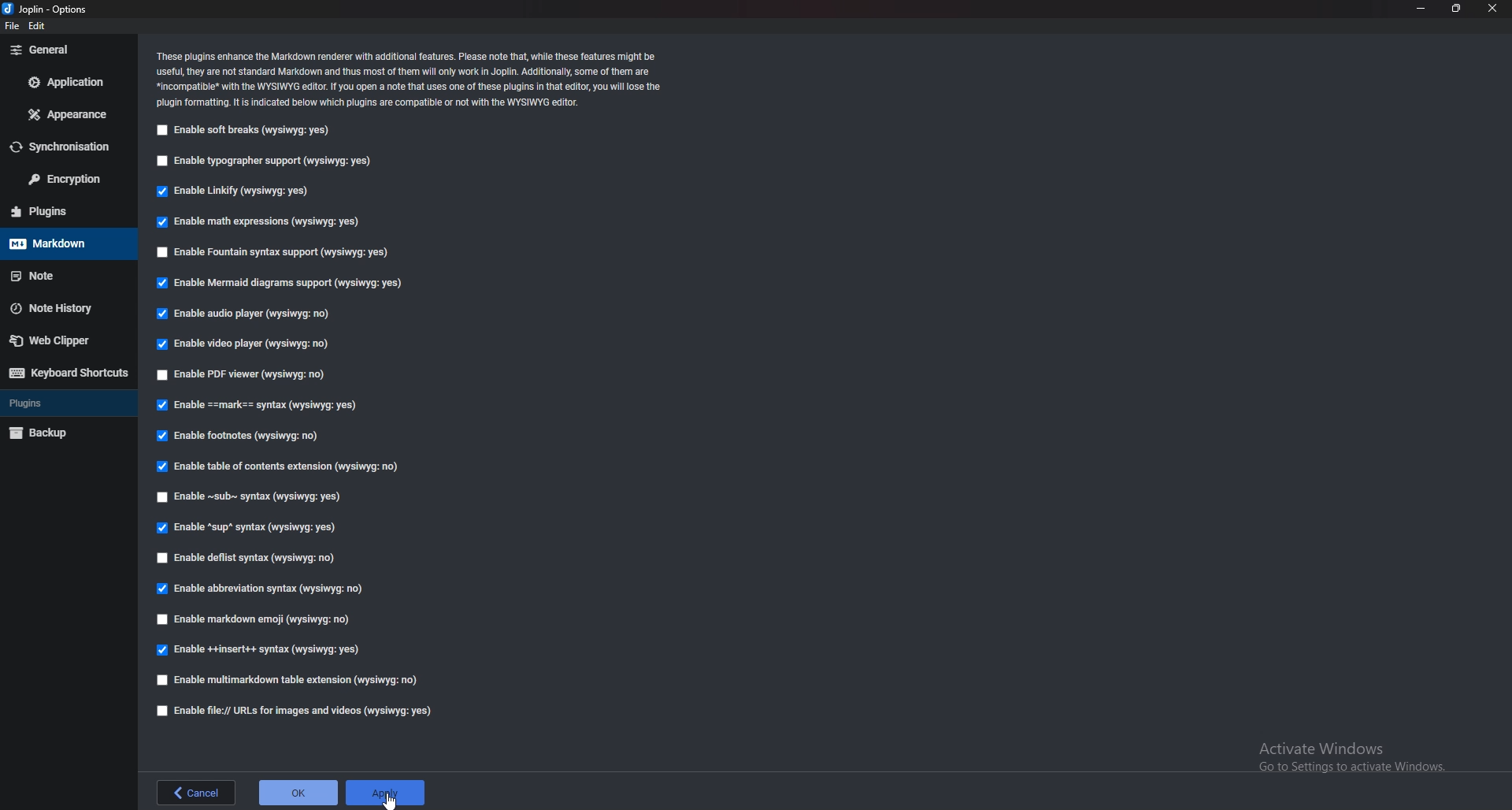 This screenshot has height=810, width=1512. Describe the element at coordinates (65, 244) in the screenshot. I see `markdown` at that location.